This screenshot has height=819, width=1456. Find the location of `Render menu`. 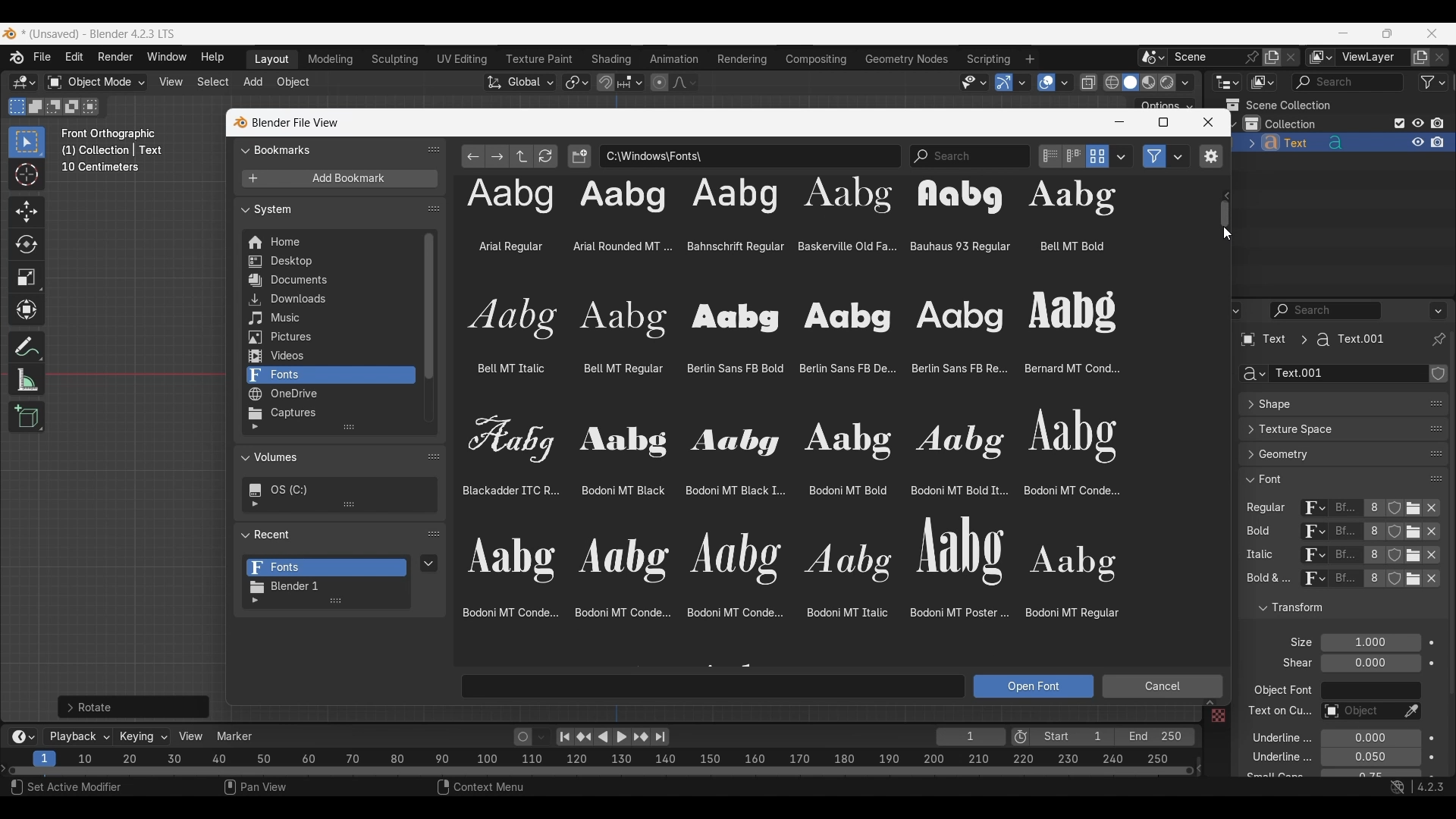

Render menu is located at coordinates (115, 58).